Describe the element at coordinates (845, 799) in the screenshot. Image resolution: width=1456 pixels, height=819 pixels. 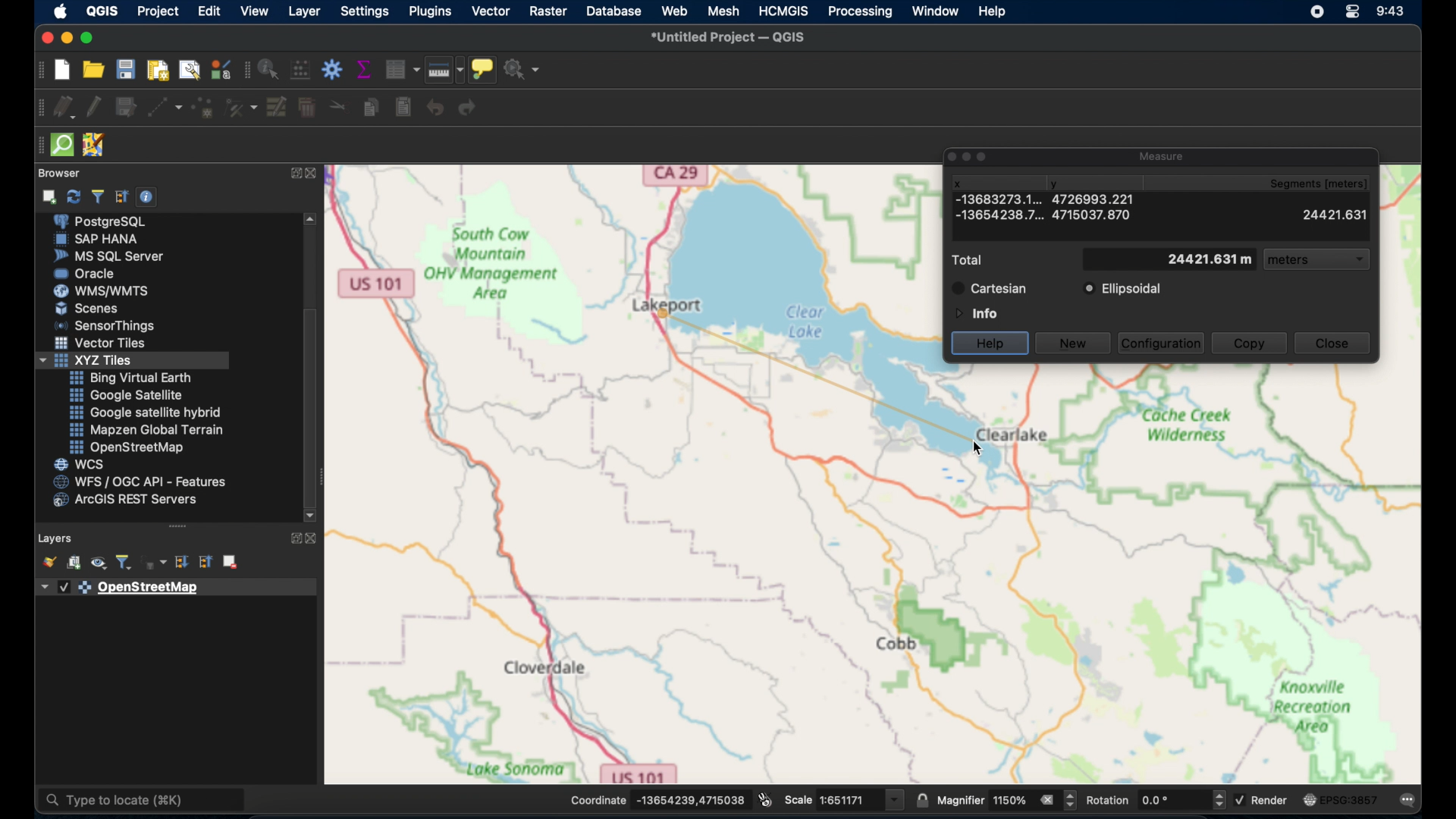
I see `scale` at that location.